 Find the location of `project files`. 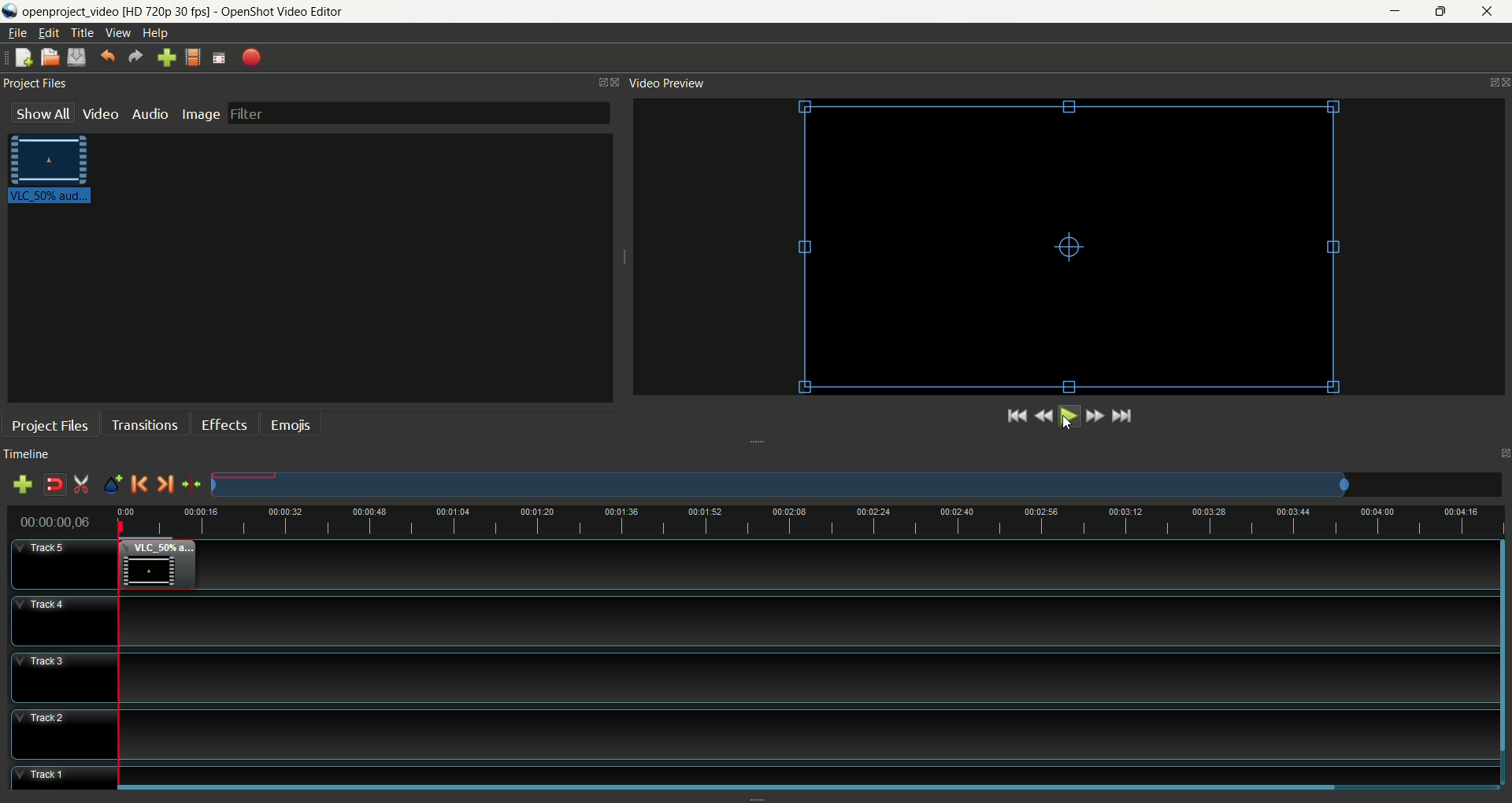

project files is located at coordinates (35, 81).